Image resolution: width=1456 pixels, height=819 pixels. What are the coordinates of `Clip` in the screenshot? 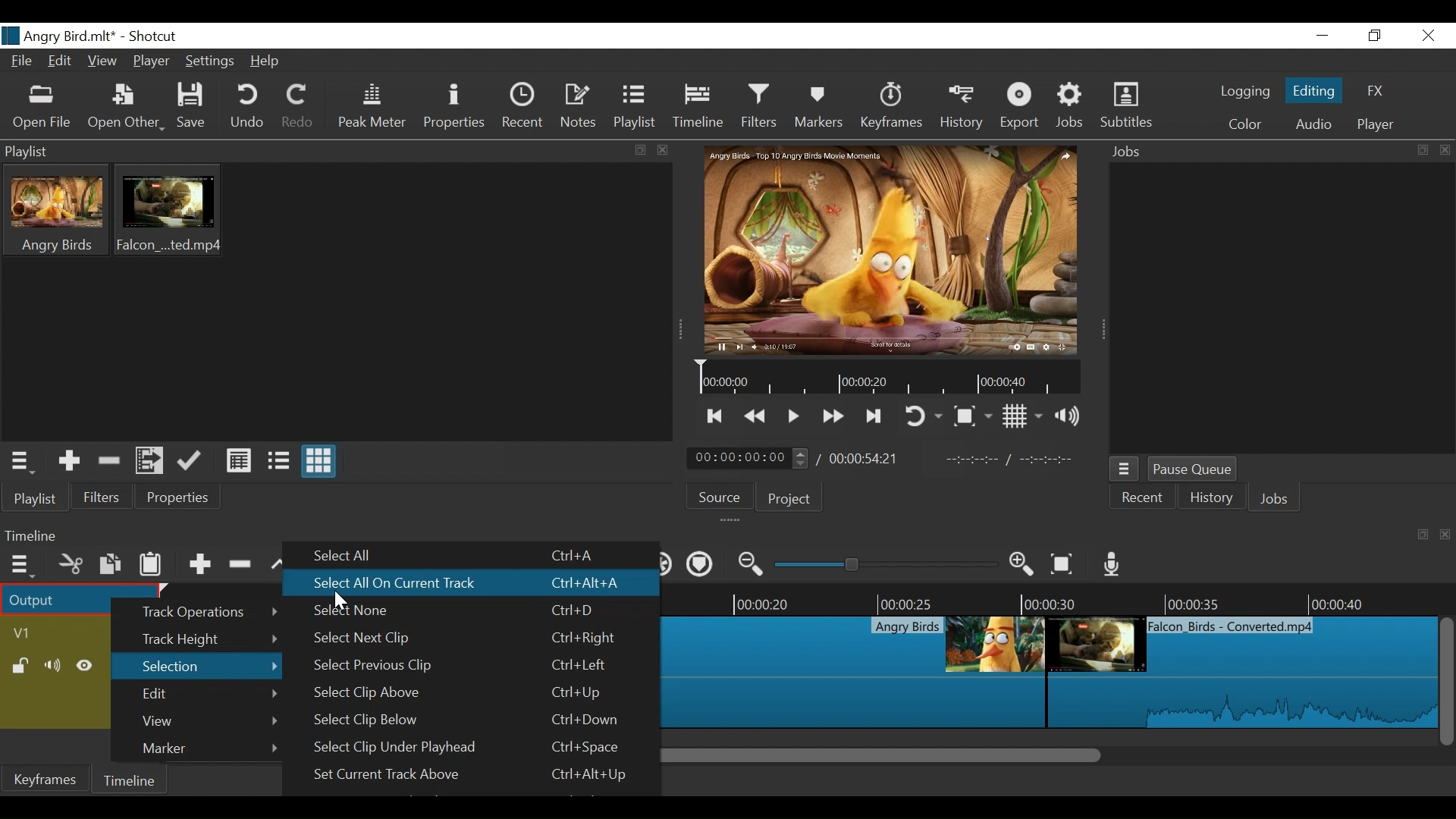 It's located at (57, 209).